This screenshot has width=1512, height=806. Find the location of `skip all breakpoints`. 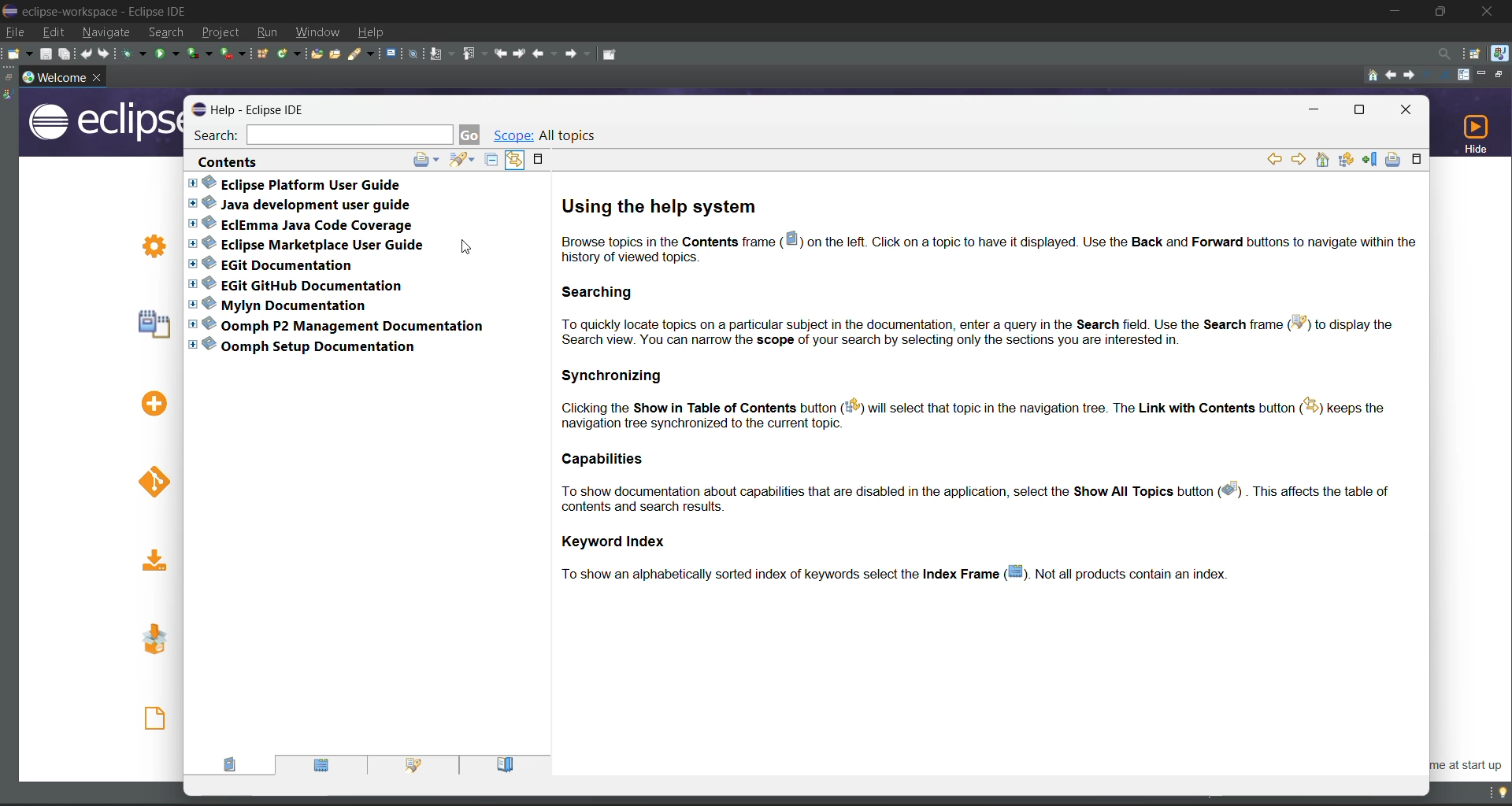

skip all breakpoints is located at coordinates (413, 54).